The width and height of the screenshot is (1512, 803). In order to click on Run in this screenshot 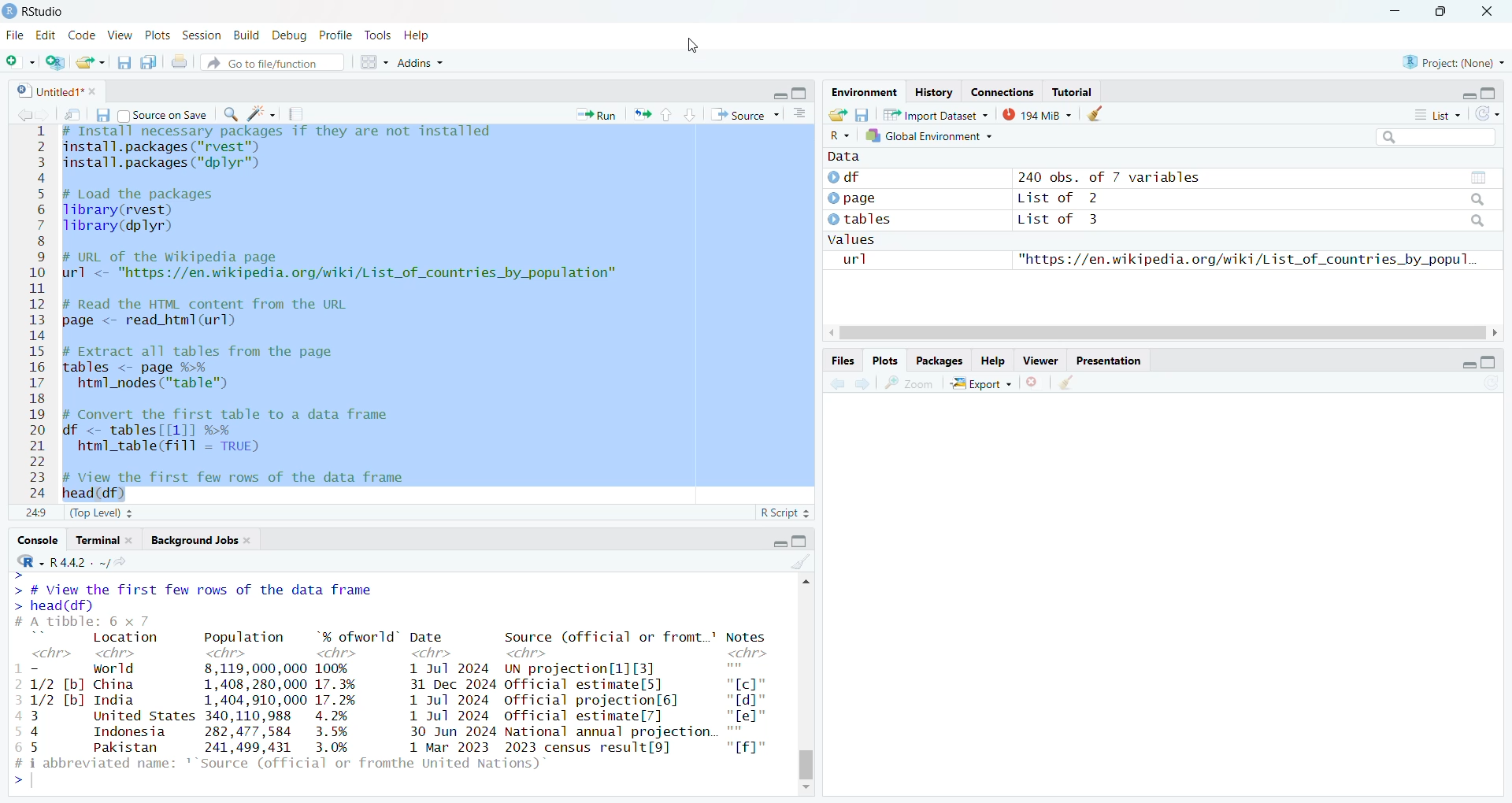, I will do `click(595, 115)`.